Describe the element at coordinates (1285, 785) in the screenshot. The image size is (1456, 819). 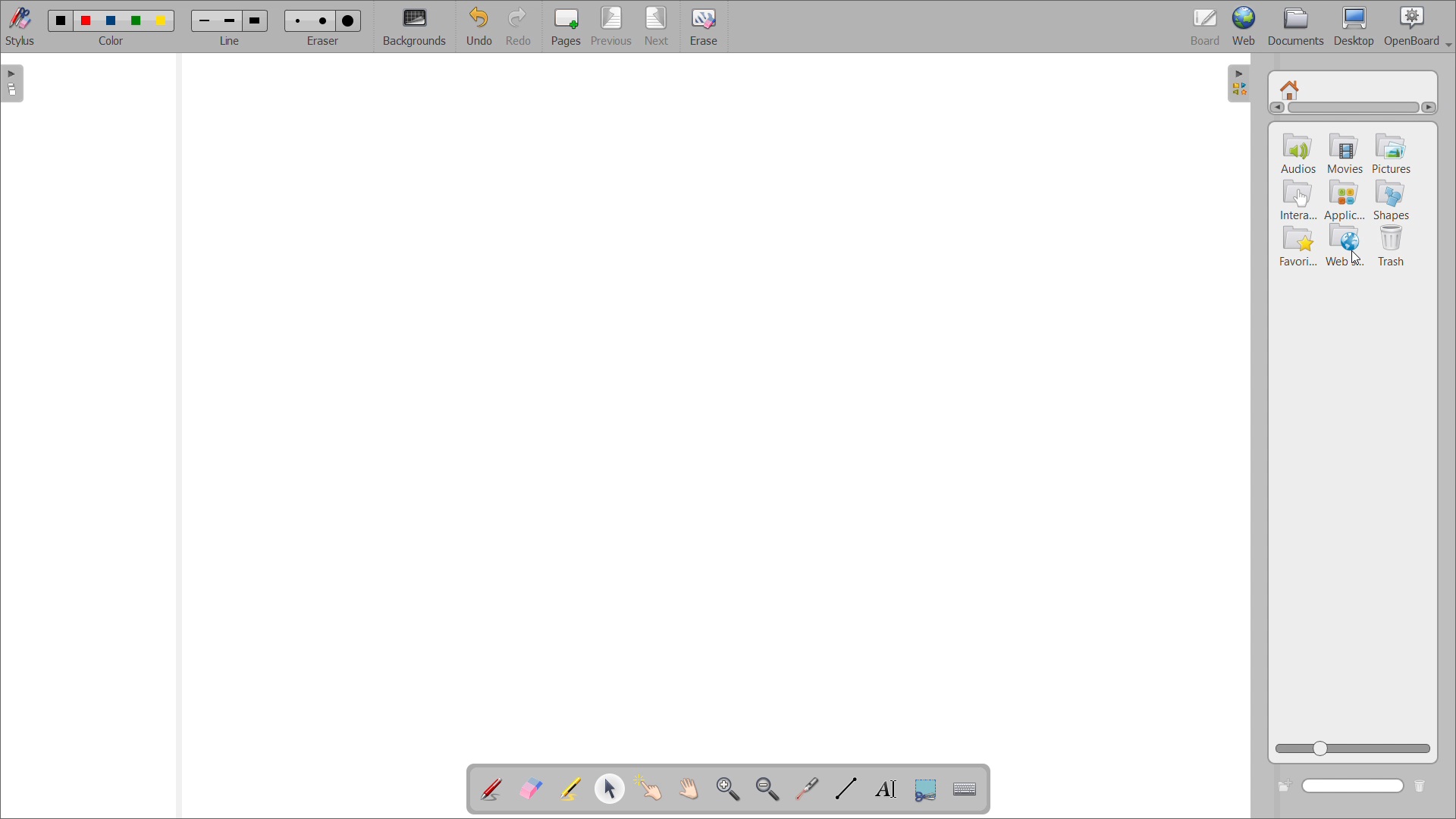
I see `add folder` at that location.